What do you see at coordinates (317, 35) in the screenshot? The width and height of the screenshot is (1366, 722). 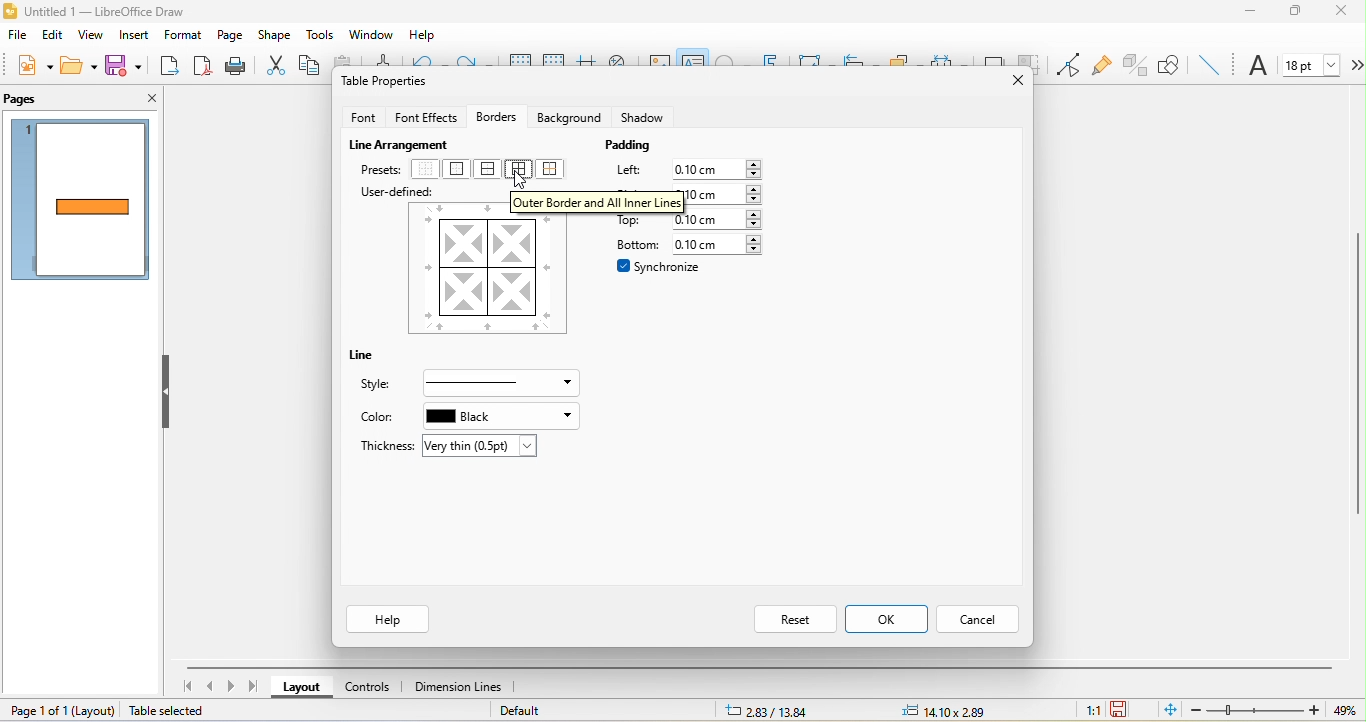 I see `tools` at bounding box center [317, 35].